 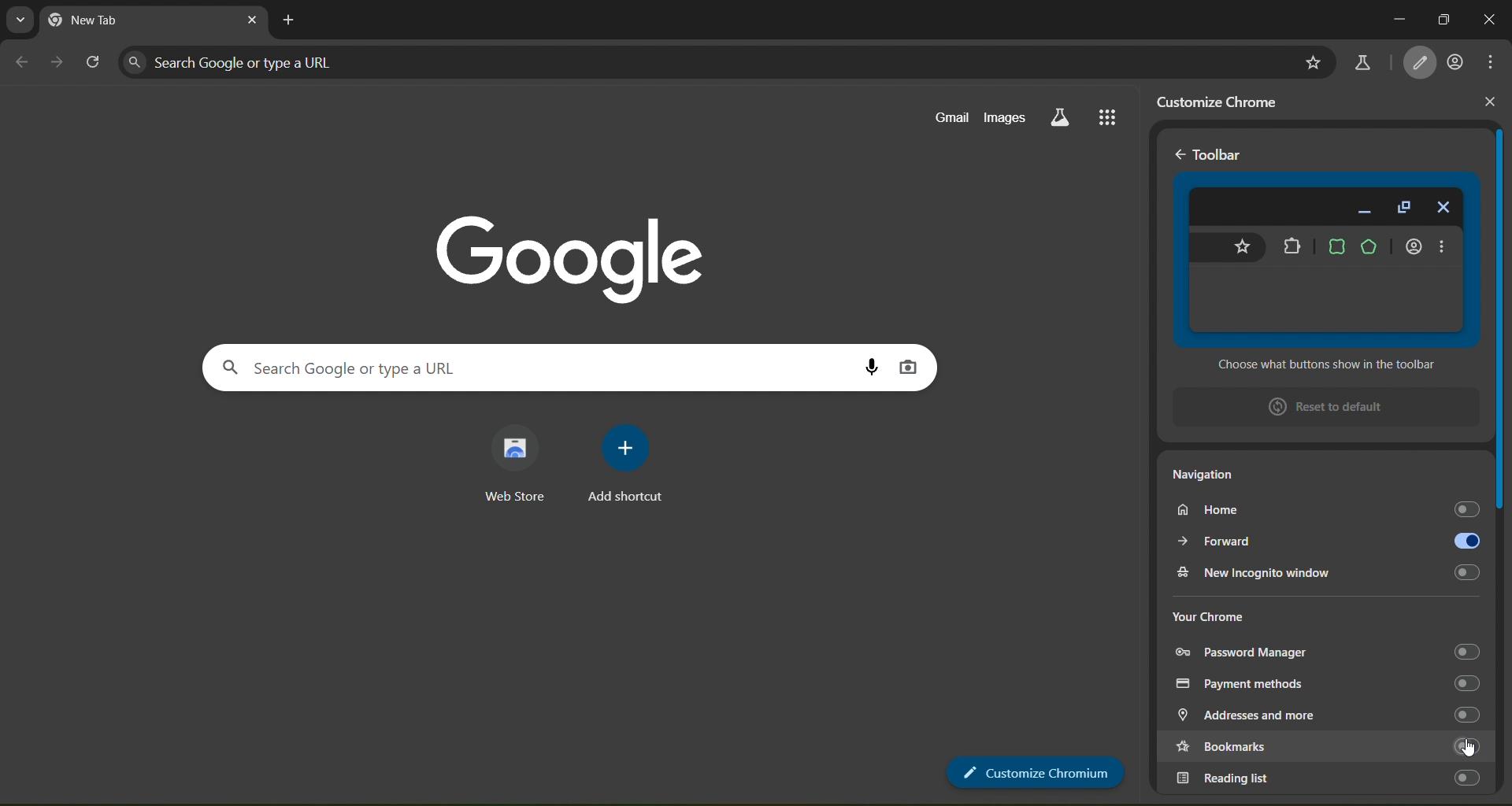 What do you see at coordinates (1310, 61) in the screenshot?
I see `bookmark page` at bounding box center [1310, 61].